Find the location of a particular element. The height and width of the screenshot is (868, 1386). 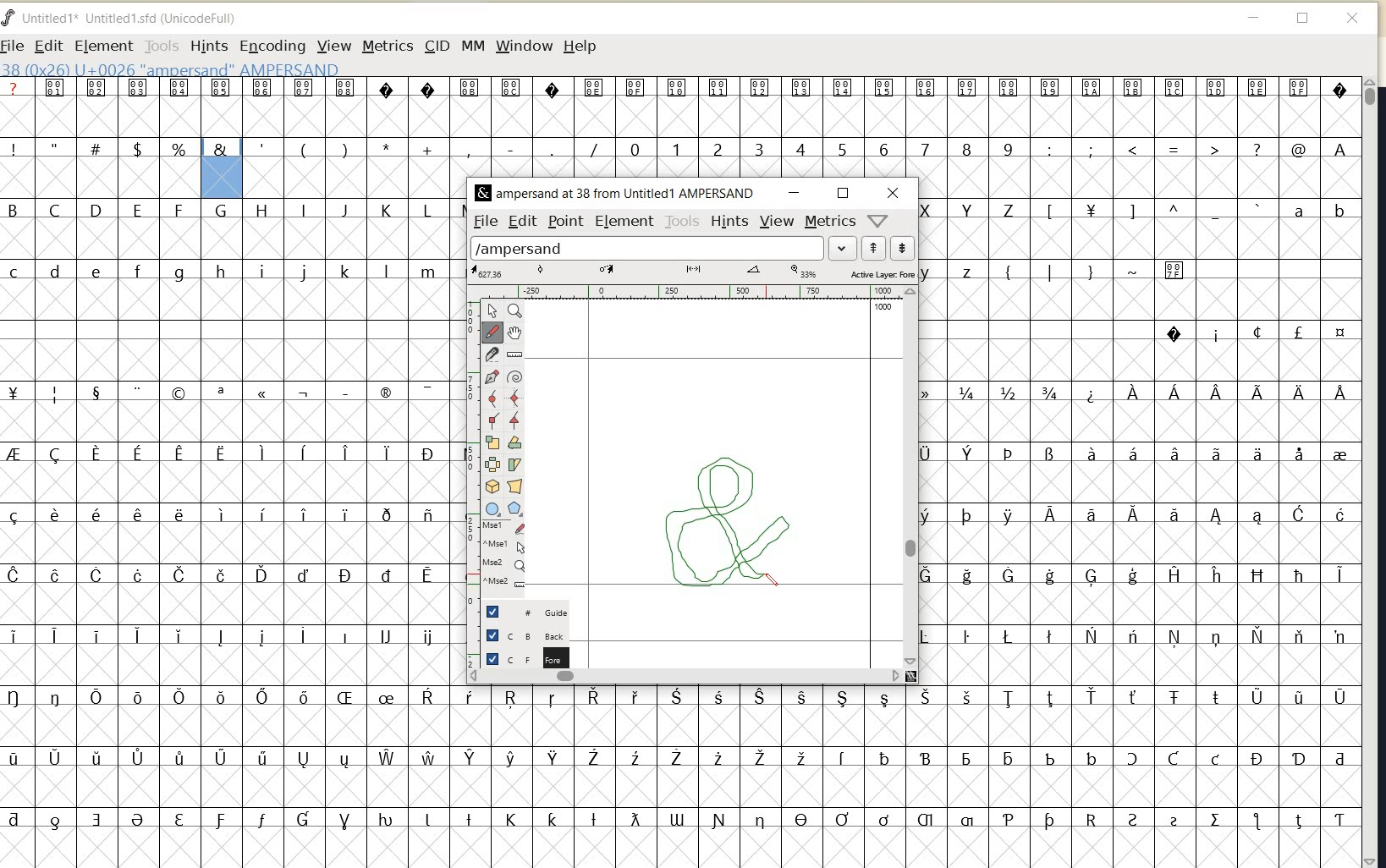

cut splines in two is located at coordinates (491, 354).